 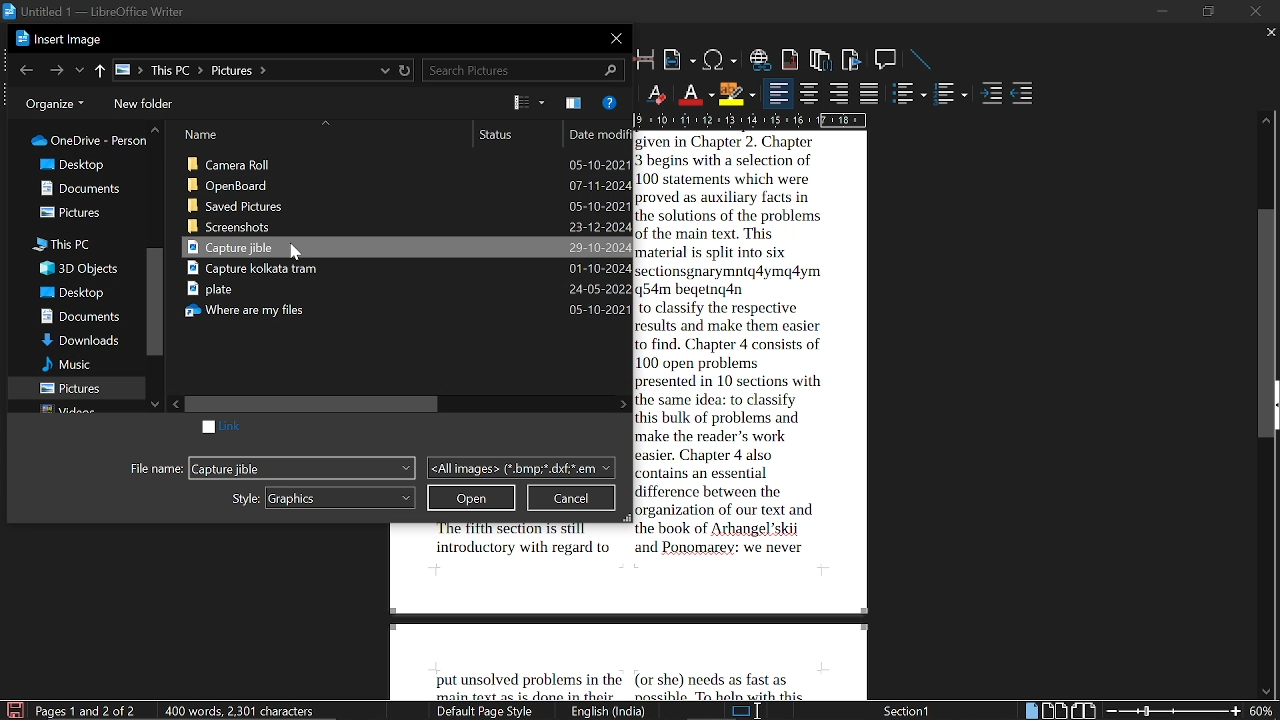 What do you see at coordinates (743, 711) in the screenshot?
I see `standard selection` at bounding box center [743, 711].